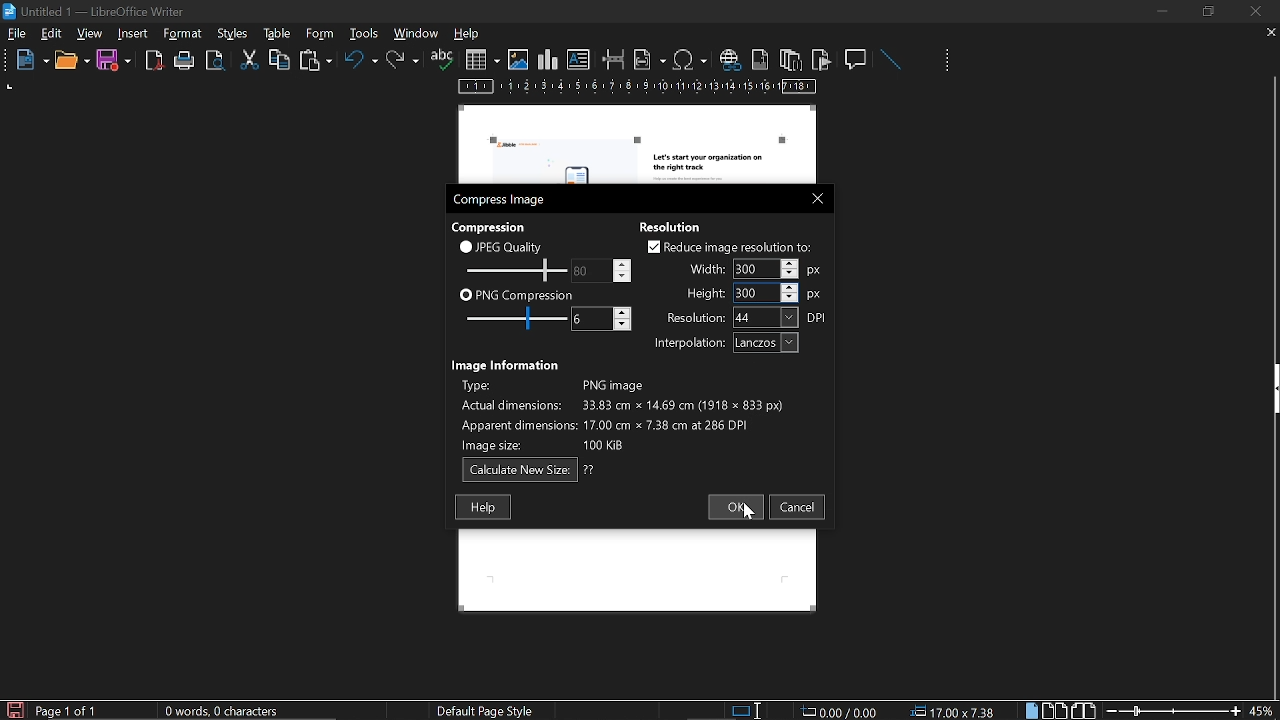  I want to click on change zoom, so click(1173, 711).